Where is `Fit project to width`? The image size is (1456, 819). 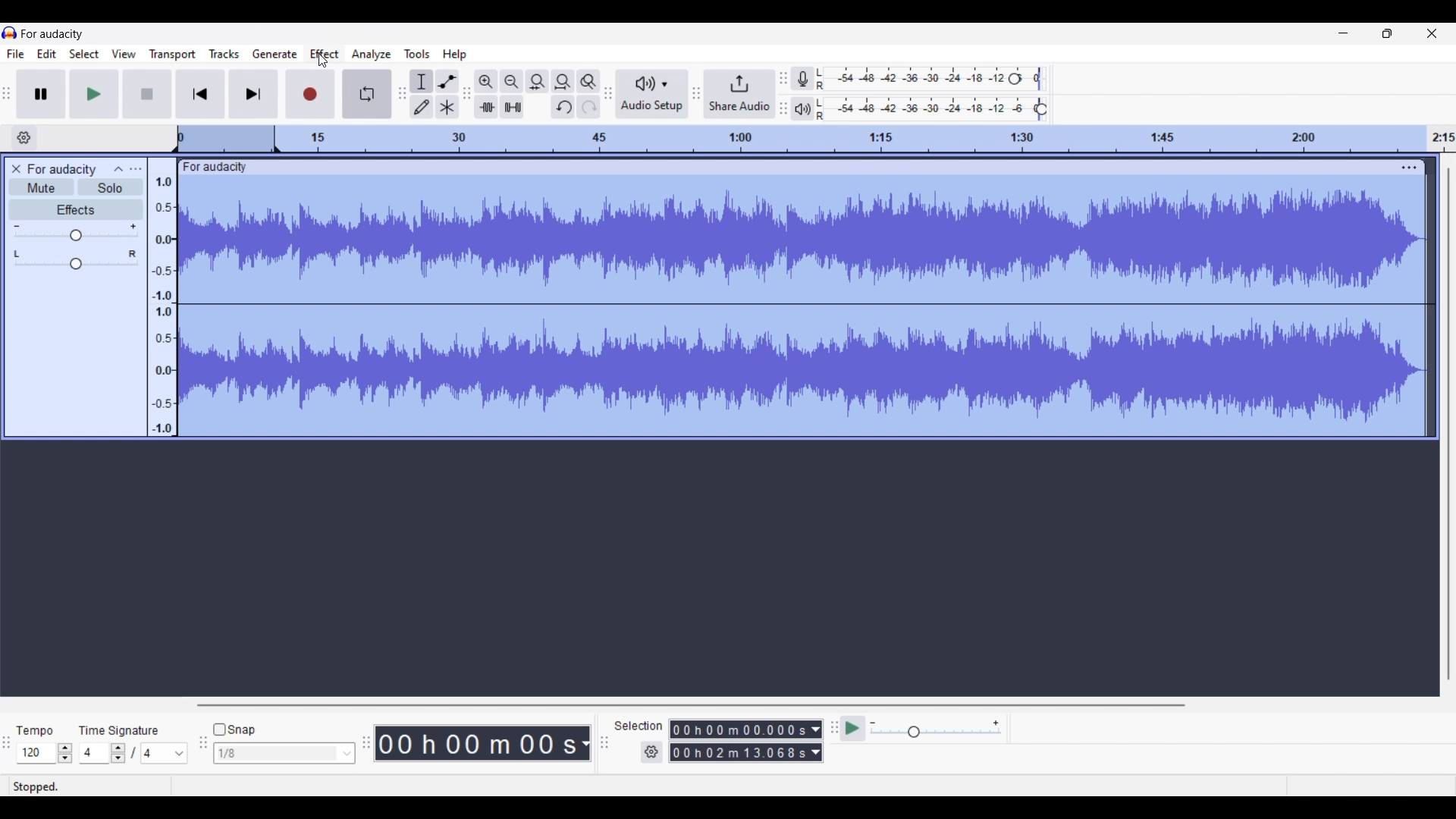
Fit project to width is located at coordinates (563, 82).